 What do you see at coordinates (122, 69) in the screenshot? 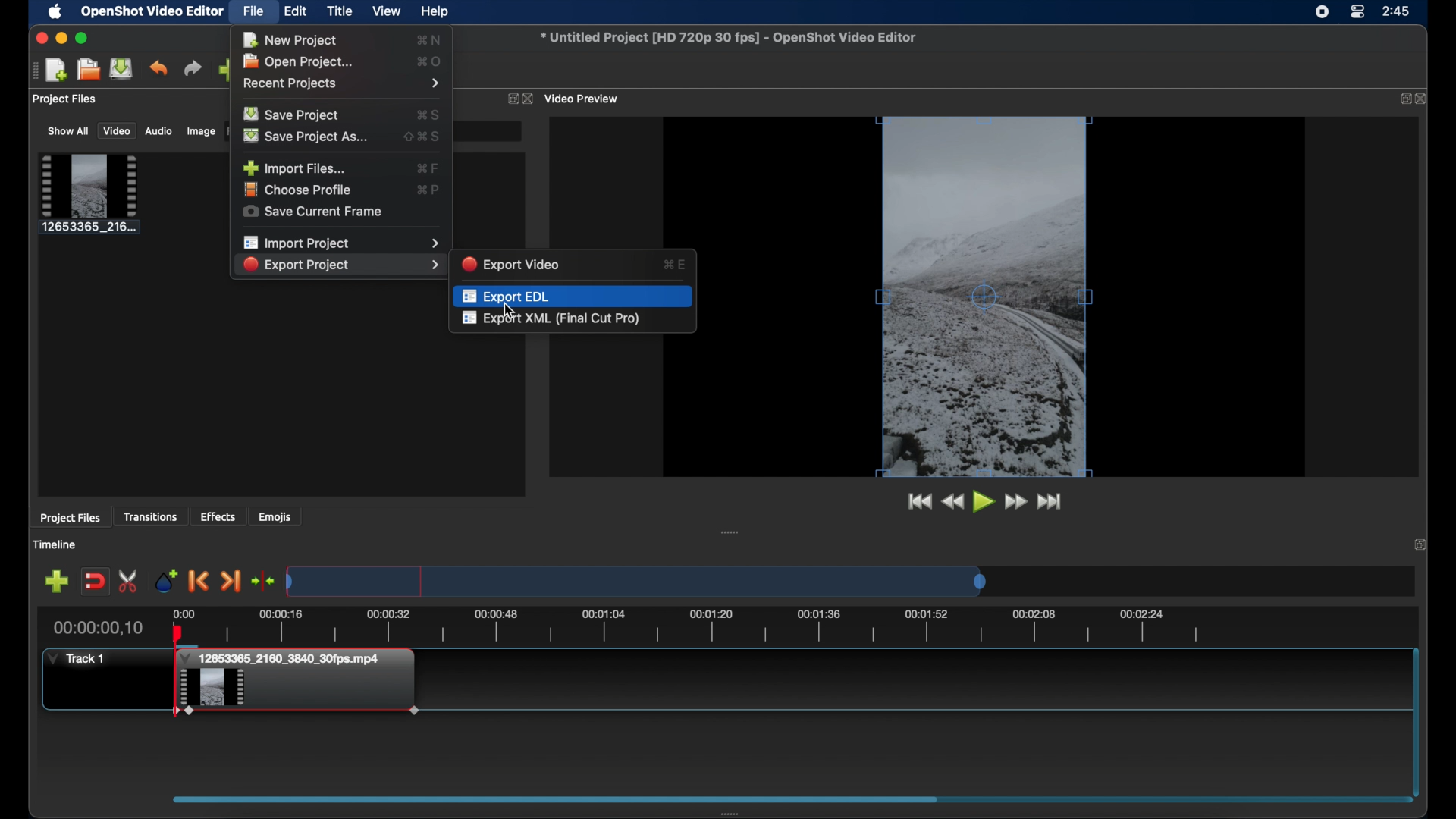
I see `save project` at bounding box center [122, 69].